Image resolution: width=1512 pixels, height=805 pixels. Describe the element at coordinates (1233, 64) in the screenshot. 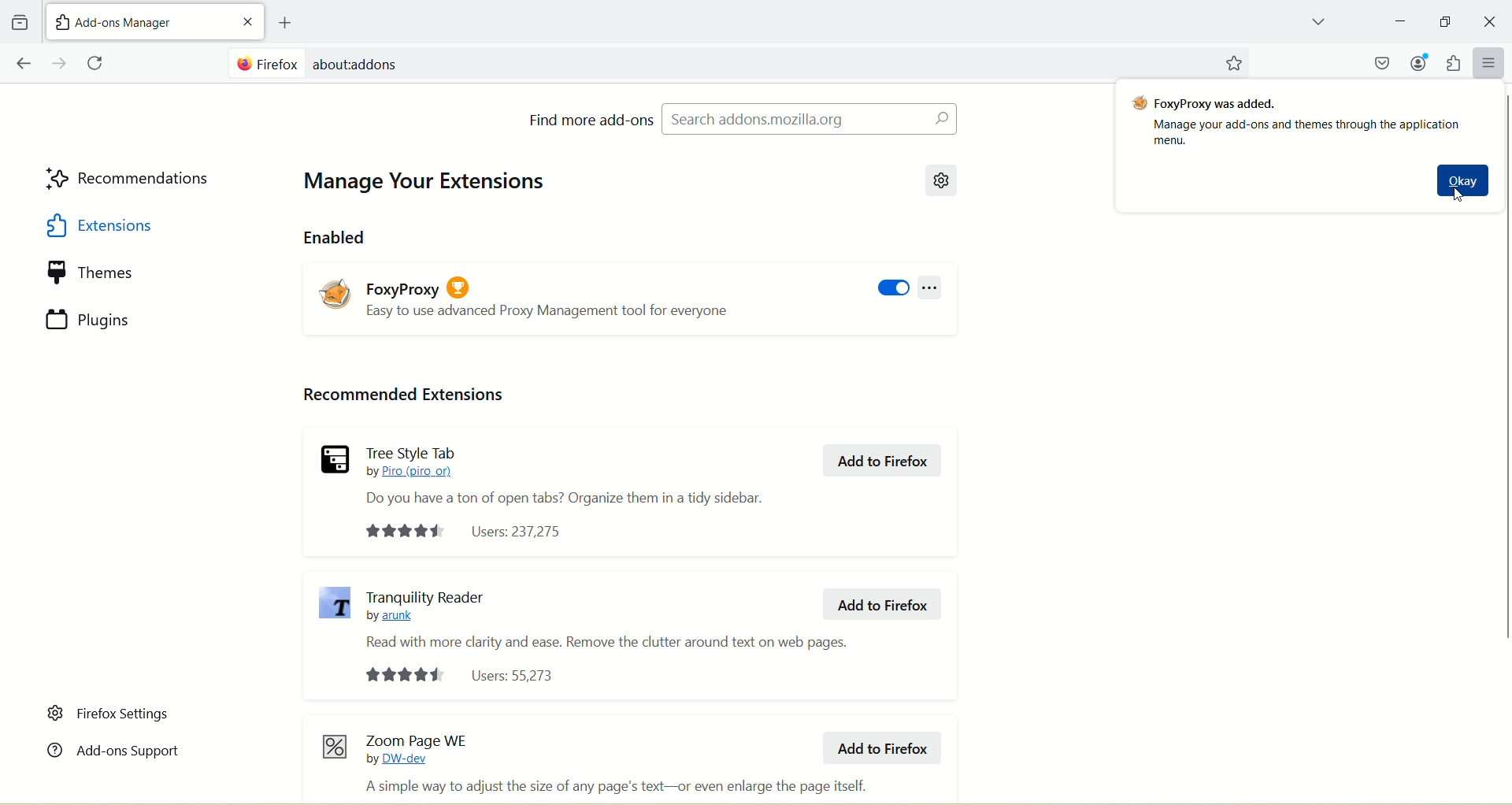

I see `Starred` at that location.